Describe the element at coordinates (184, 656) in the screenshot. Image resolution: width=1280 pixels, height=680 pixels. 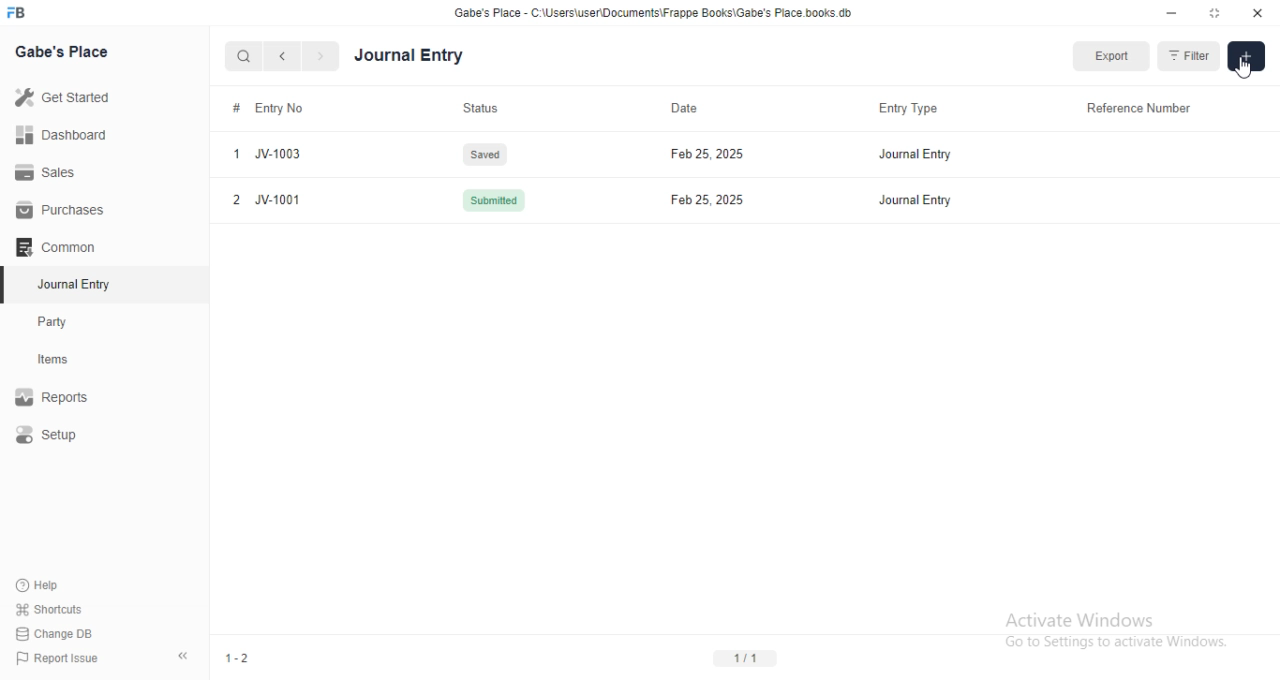
I see `Collapse` at that location.